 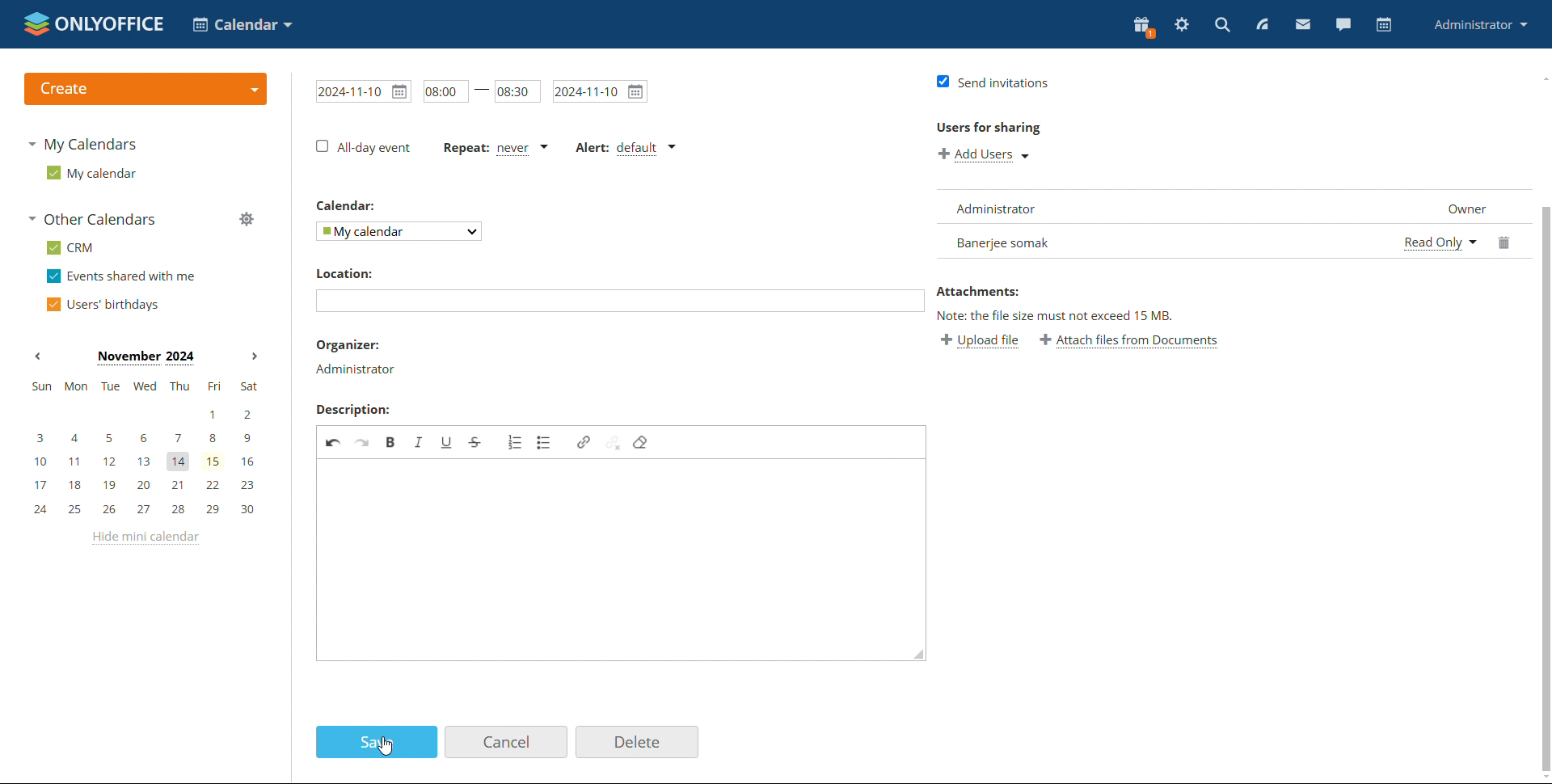 I want to click on remove format, so click(x=645, y=445).